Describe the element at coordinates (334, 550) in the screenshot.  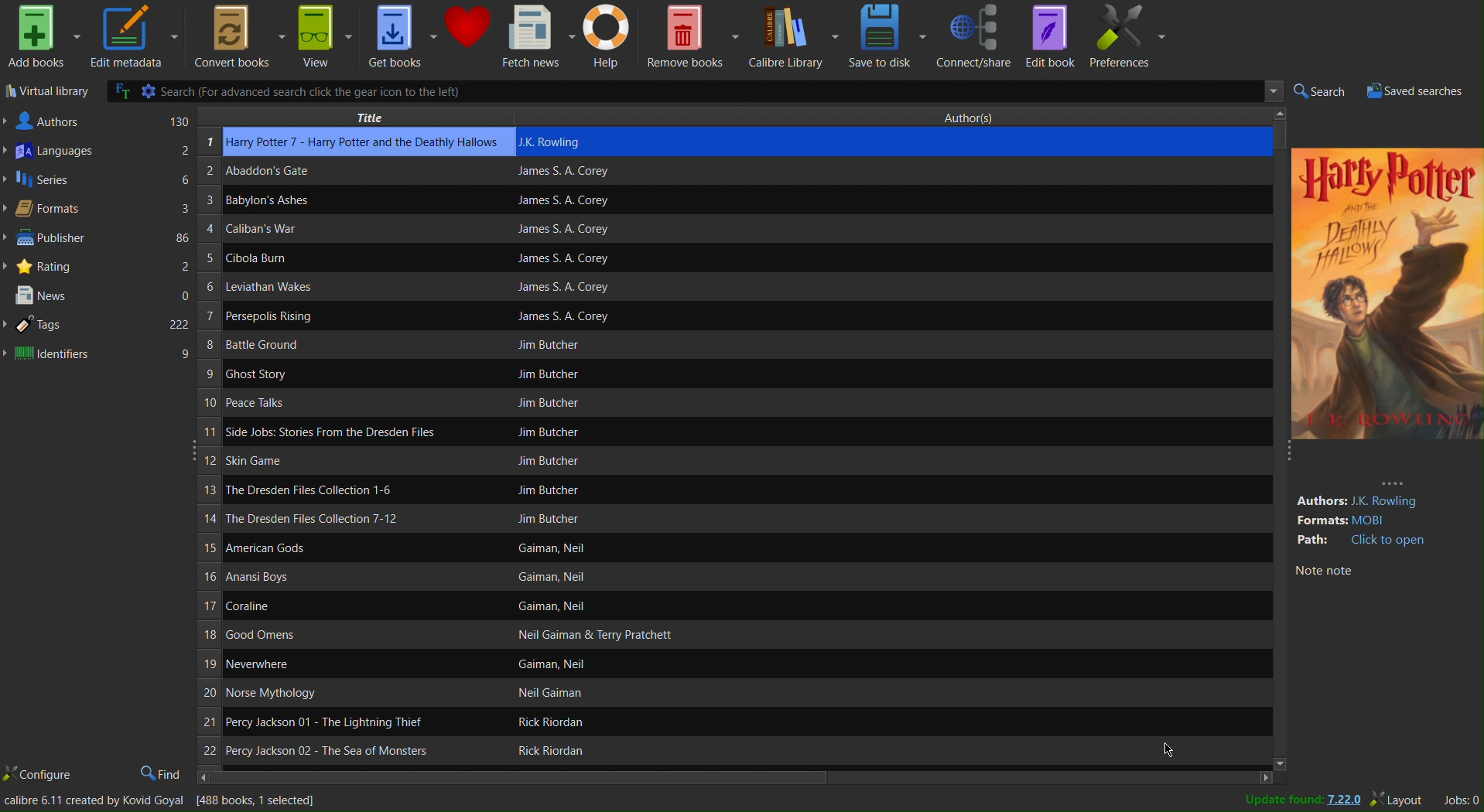
I see `Book name` at that location.